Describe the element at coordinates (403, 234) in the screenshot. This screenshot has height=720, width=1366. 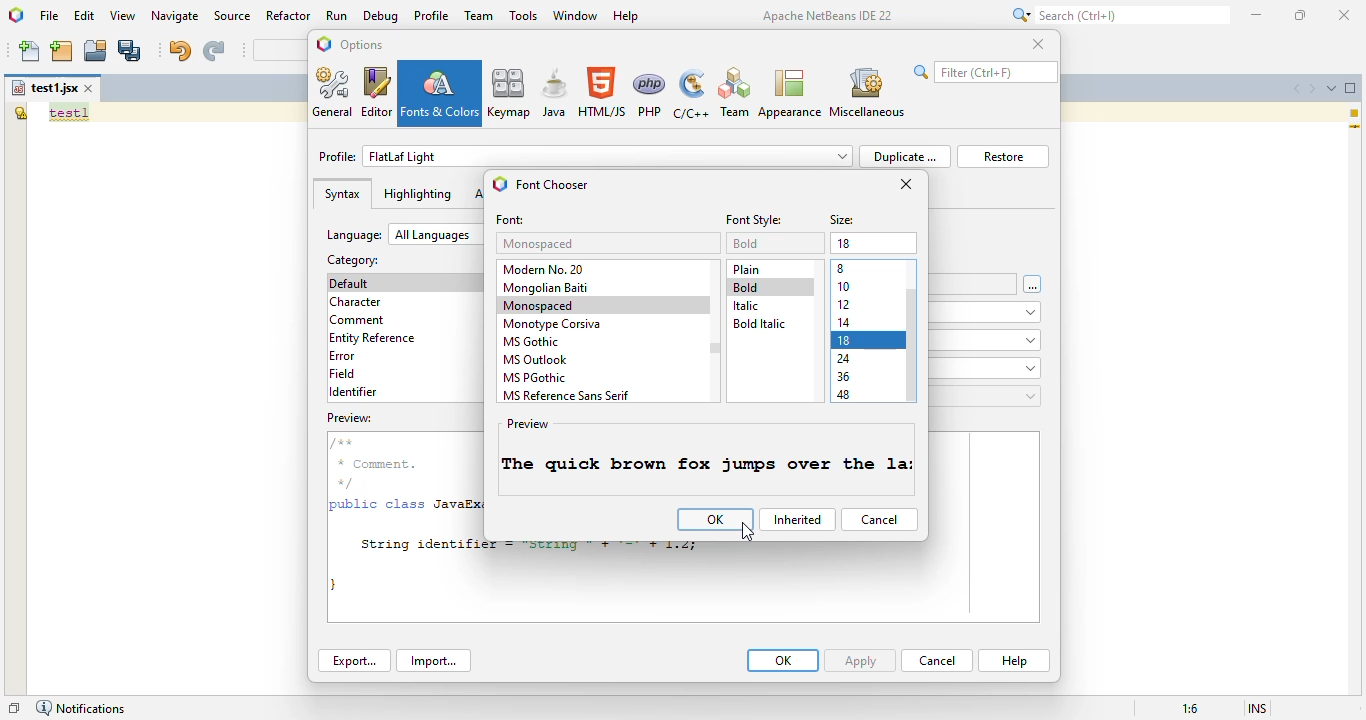
I see `language` at that location.